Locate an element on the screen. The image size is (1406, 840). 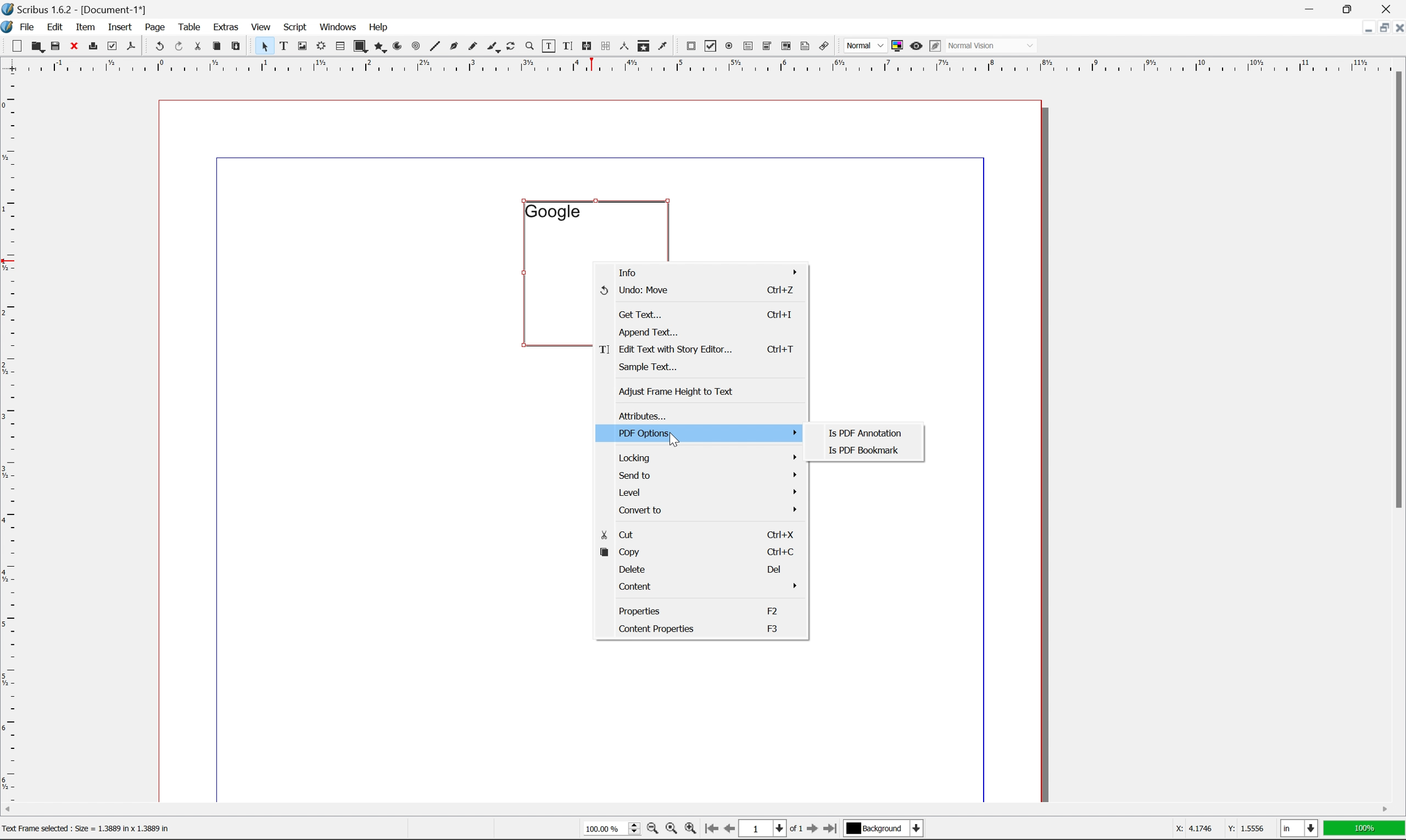
insert is located at coordinates (120, 26).